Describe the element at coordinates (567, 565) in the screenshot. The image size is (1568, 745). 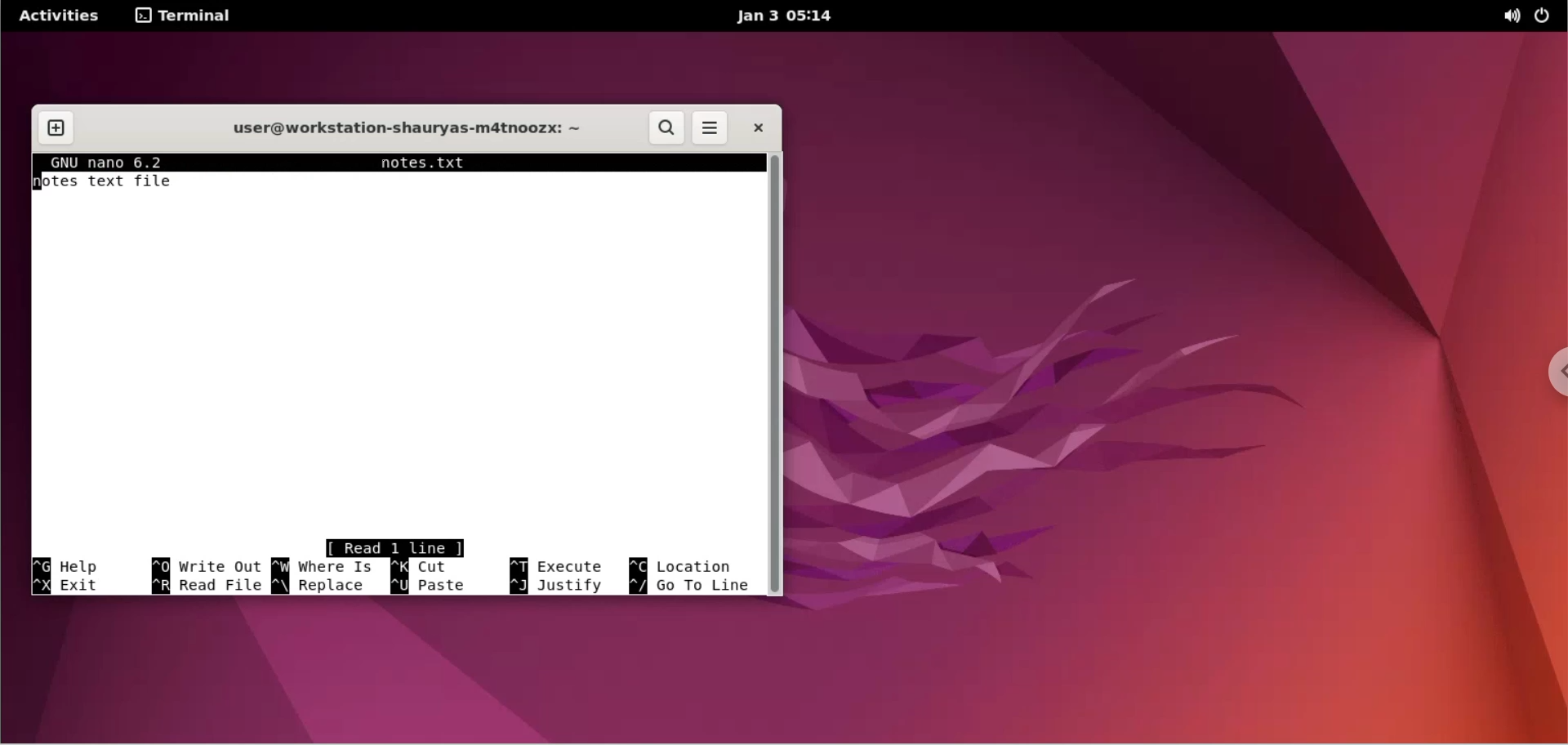
I see `^ T execute` at that location.